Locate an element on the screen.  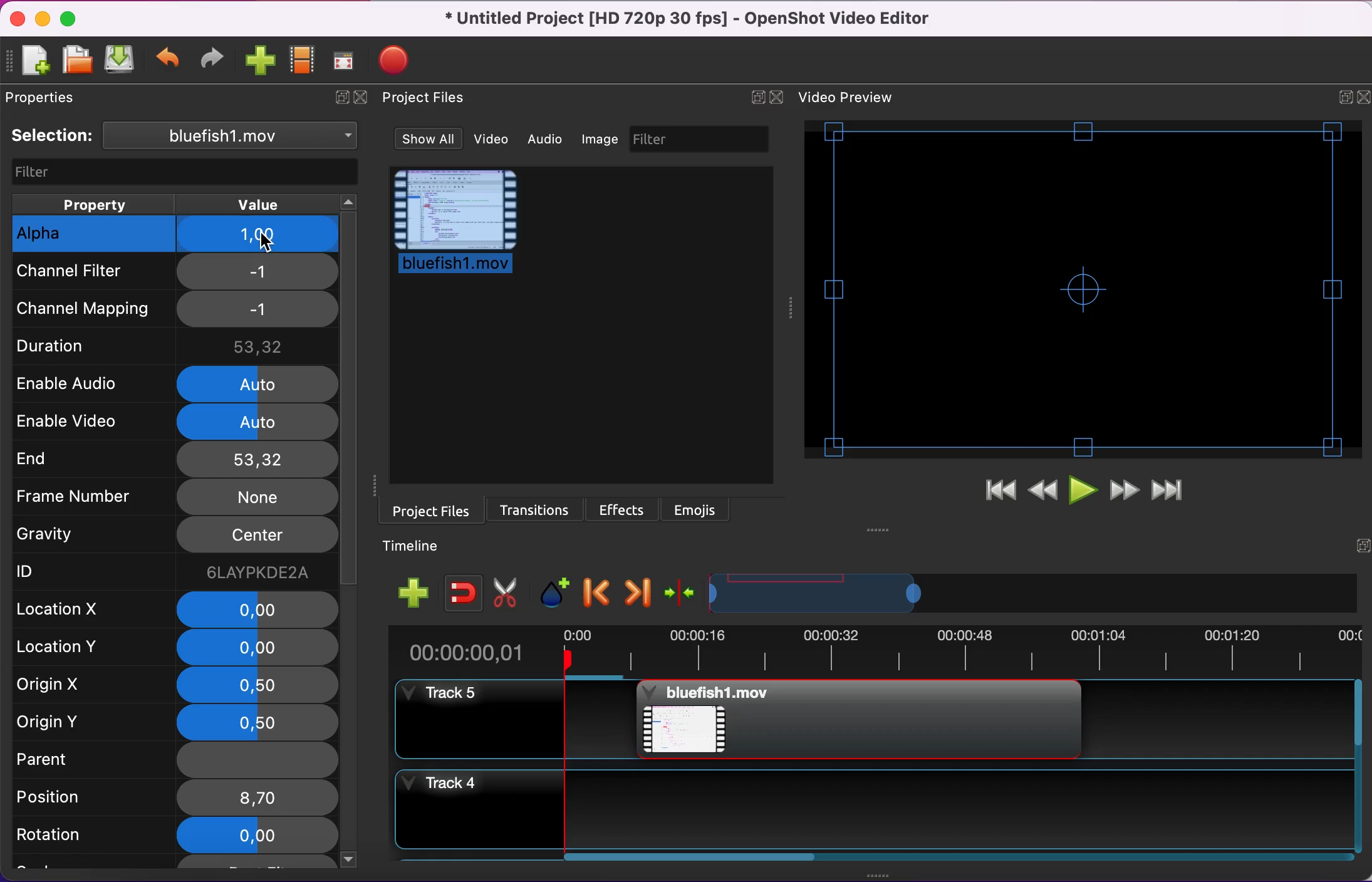
cut is located at coordinates (509, 591).